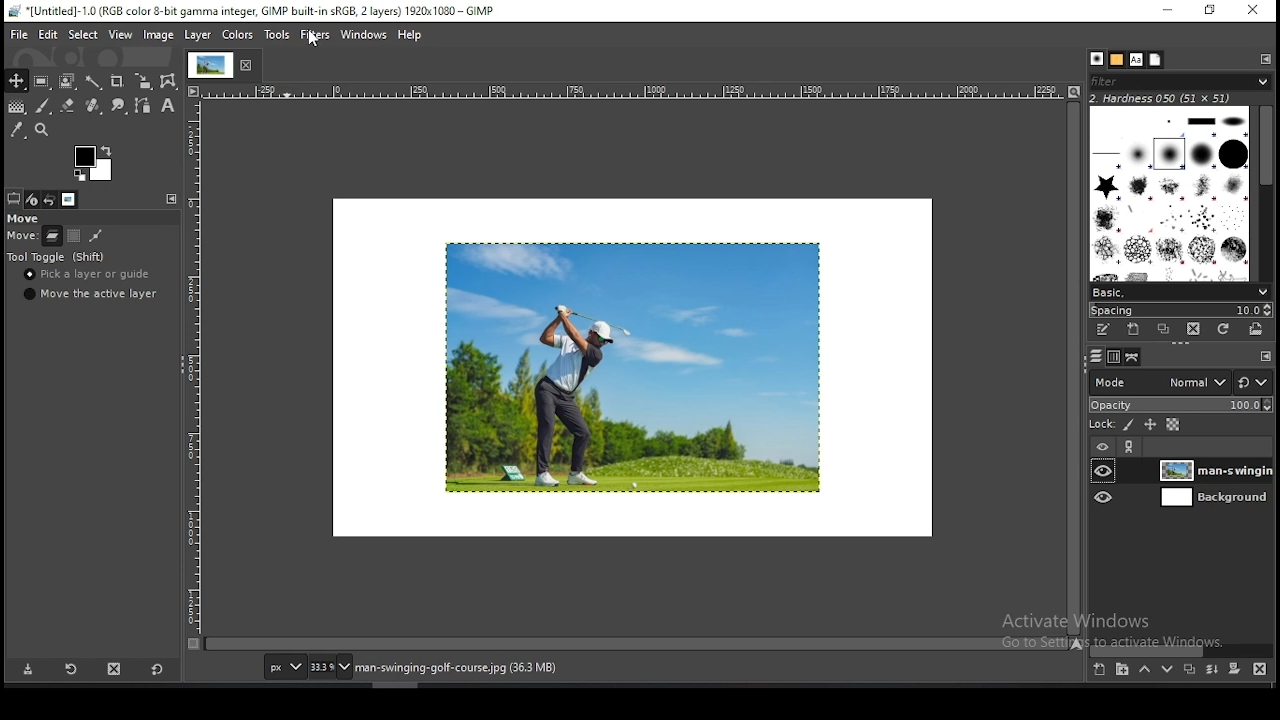 This screenshot has width=1280, height=720. What do you see at coordinates (83, 35) in the screenshot?
I see `select` at bounding box center [83, 35].